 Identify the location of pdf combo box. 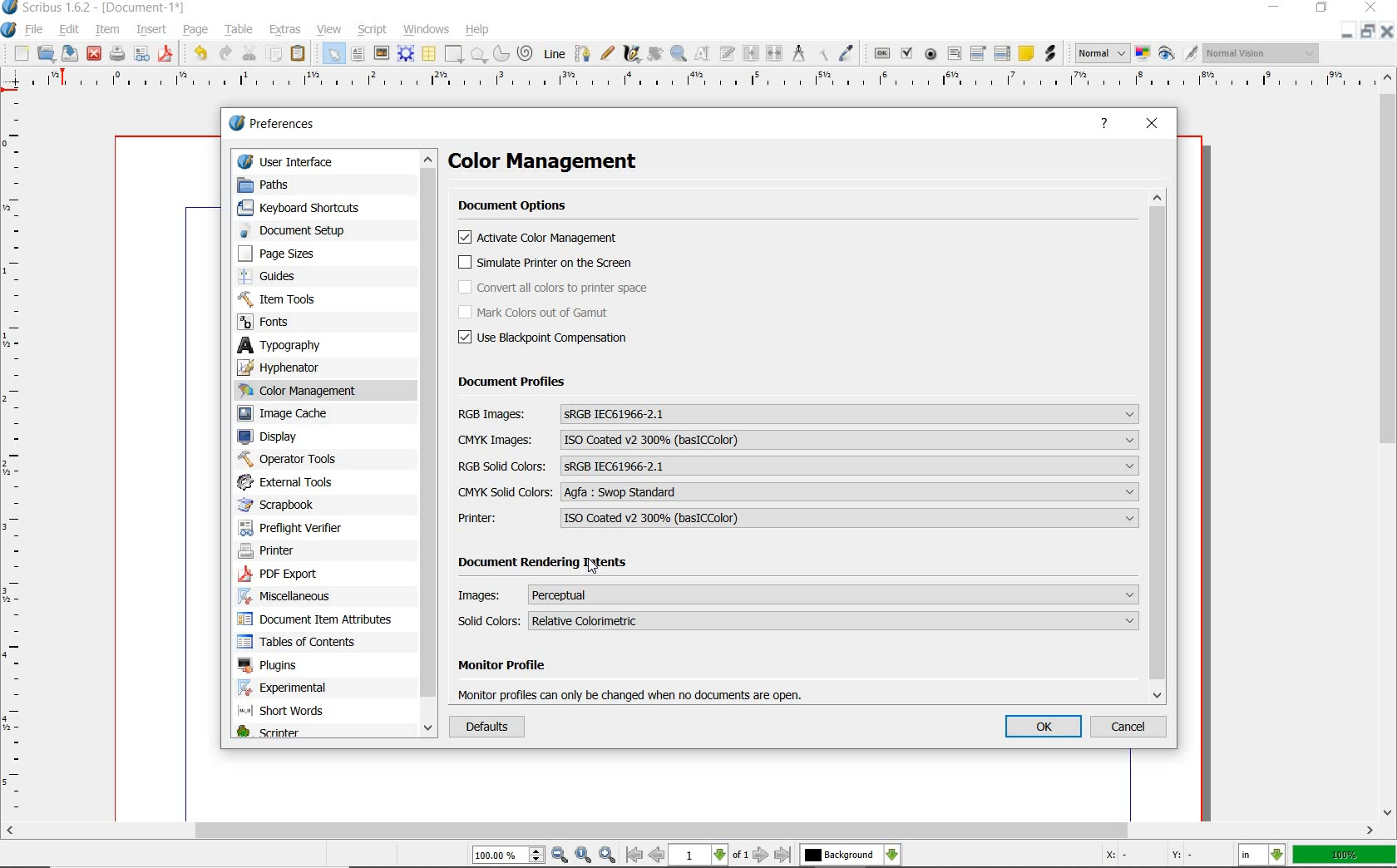
(981, 52).